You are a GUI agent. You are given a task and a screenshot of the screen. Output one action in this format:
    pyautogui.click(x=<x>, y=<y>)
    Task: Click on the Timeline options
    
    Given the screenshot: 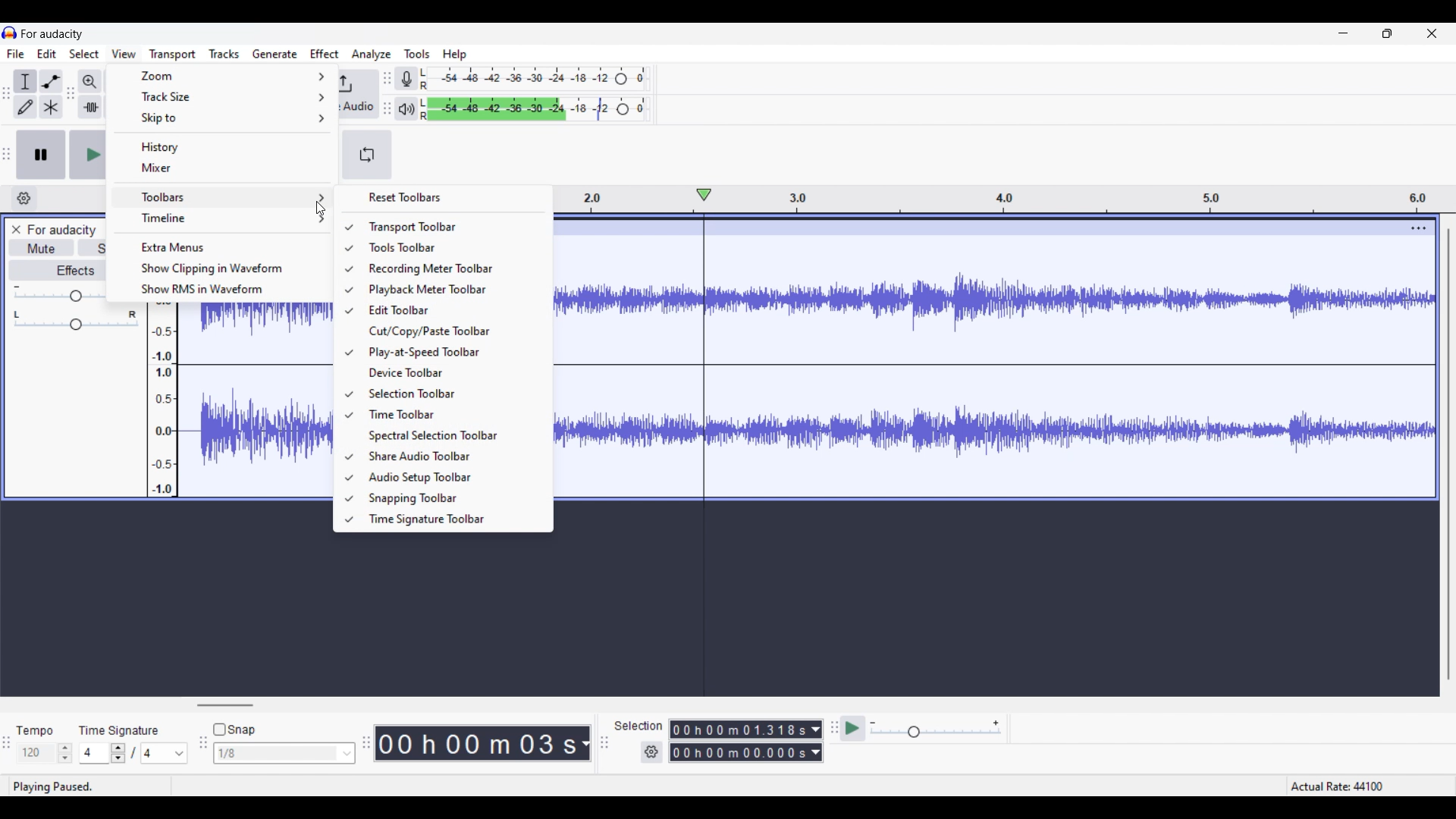 What is the action you would take?
    pyautogui.click(x=224, y=218)
    